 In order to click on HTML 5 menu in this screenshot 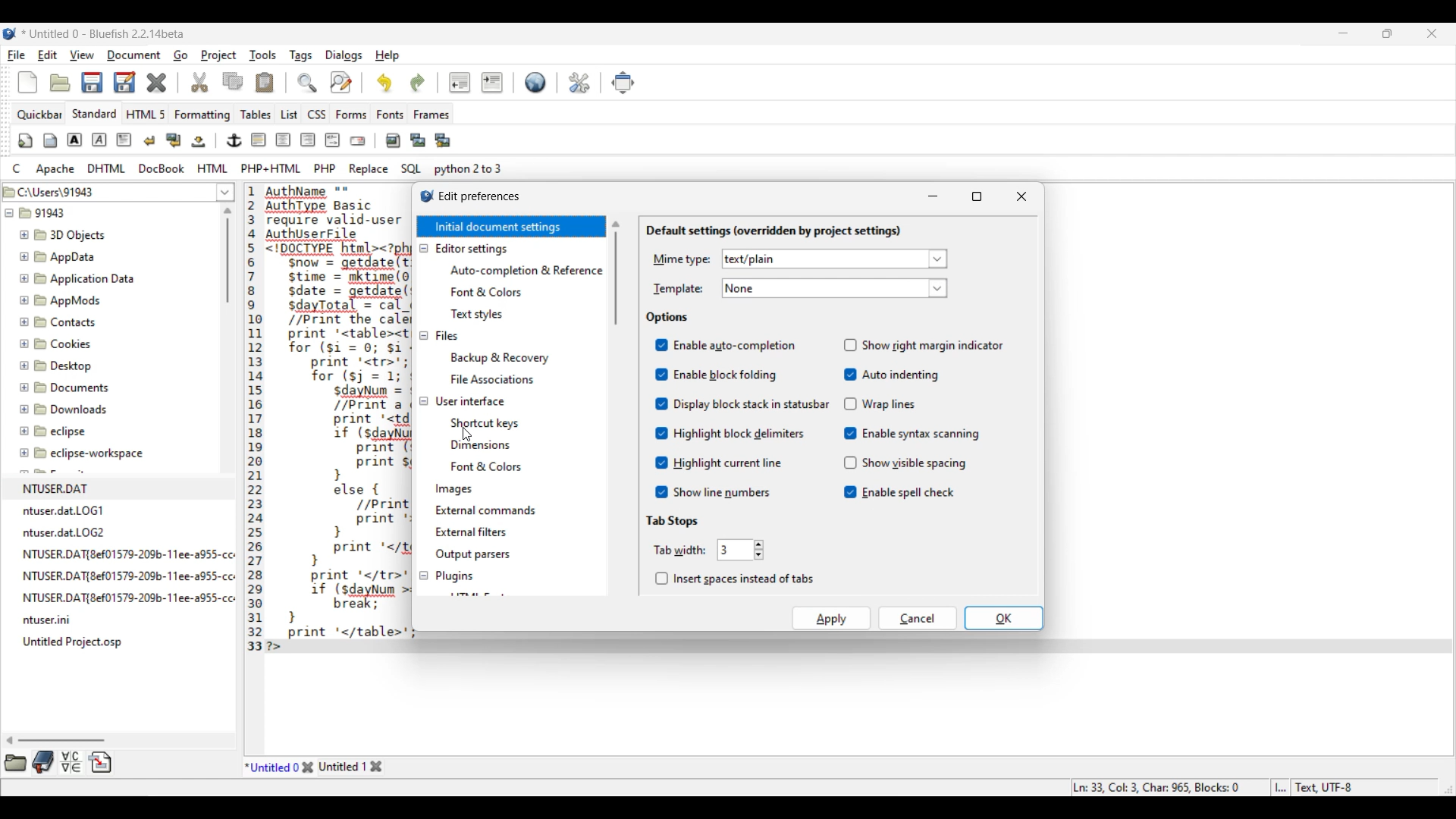, I will do `click(145, 115)`.